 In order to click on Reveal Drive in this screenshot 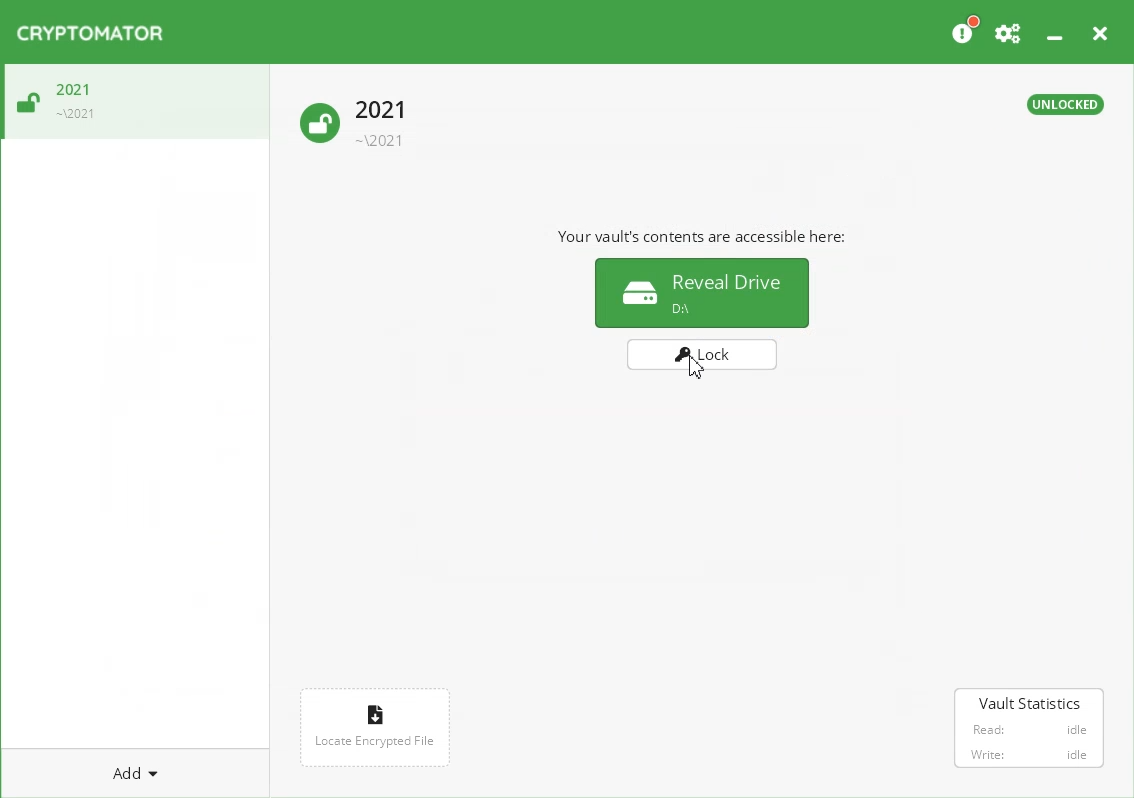, I will do `click(700, 291)`.